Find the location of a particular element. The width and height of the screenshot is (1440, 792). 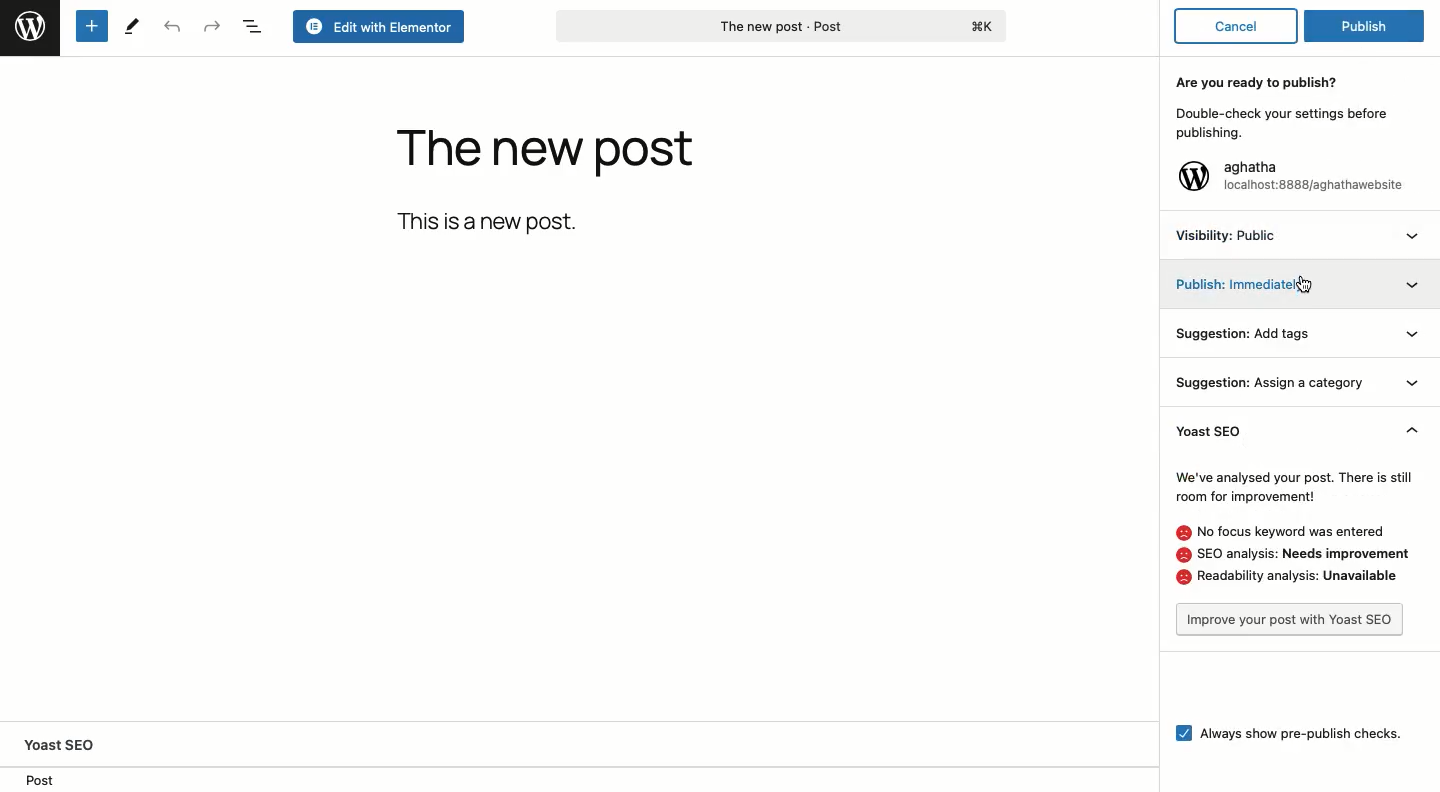

Cursor is located at coordinates (1299, 286).